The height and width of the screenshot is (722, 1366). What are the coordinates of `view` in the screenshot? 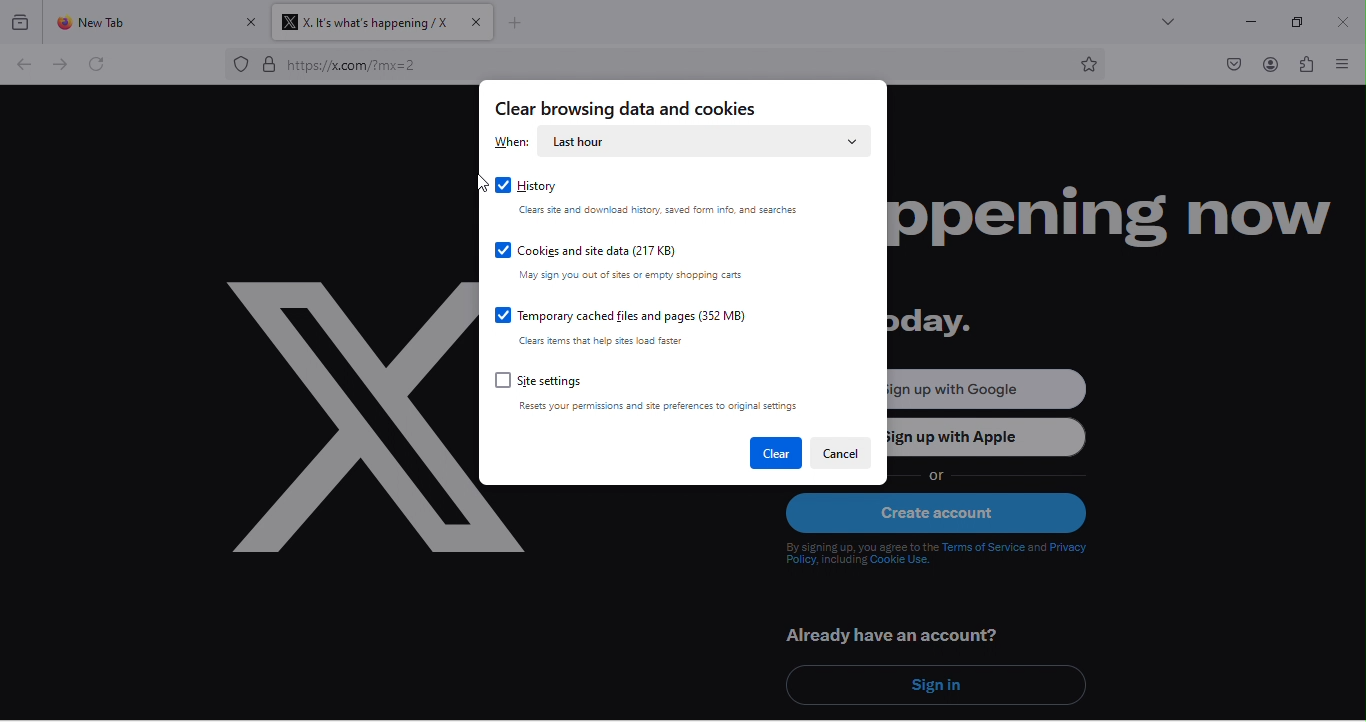 It's located at (1346, 67).